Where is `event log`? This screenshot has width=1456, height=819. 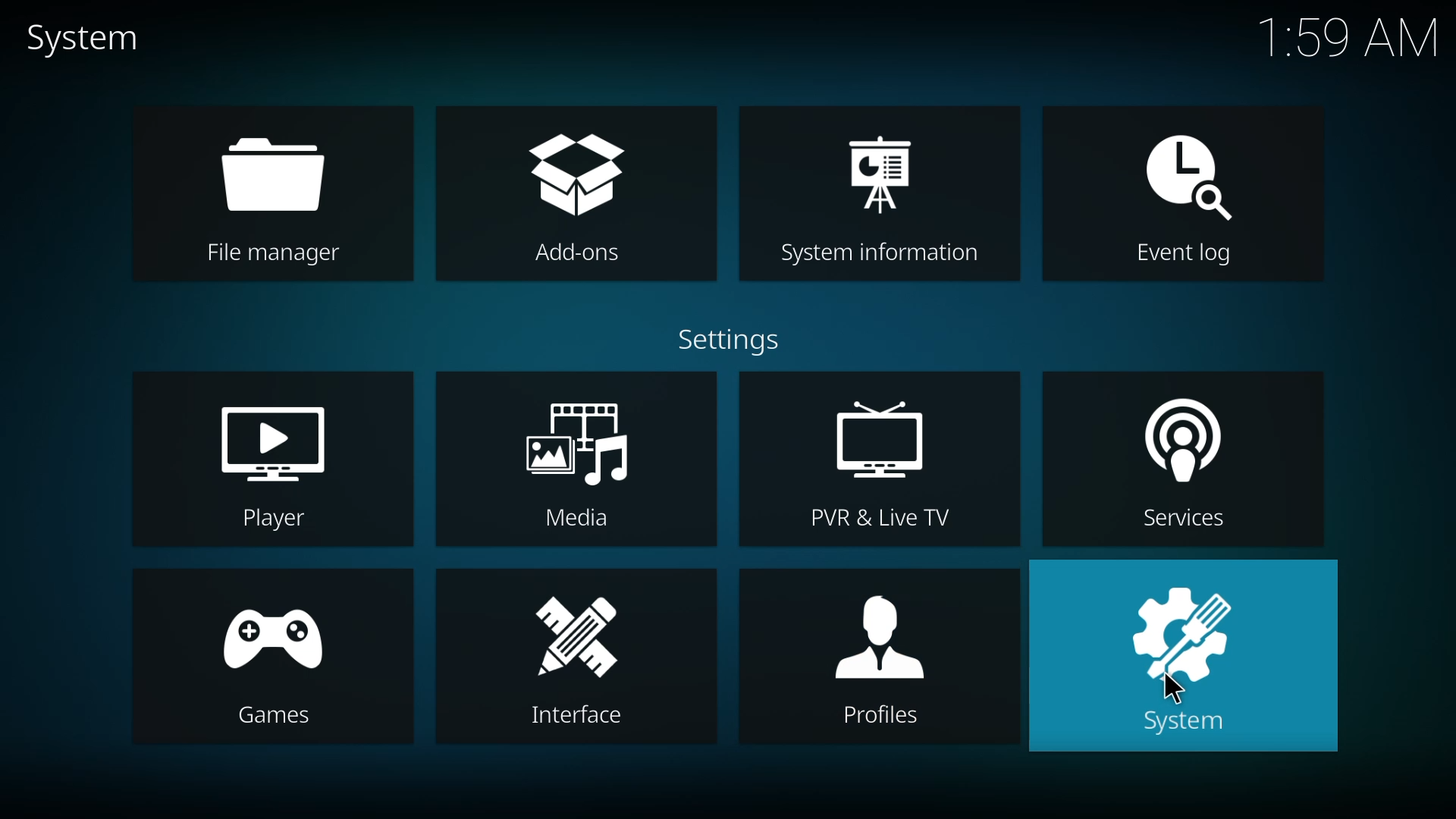
event log is located at coordinates (1179, 192).